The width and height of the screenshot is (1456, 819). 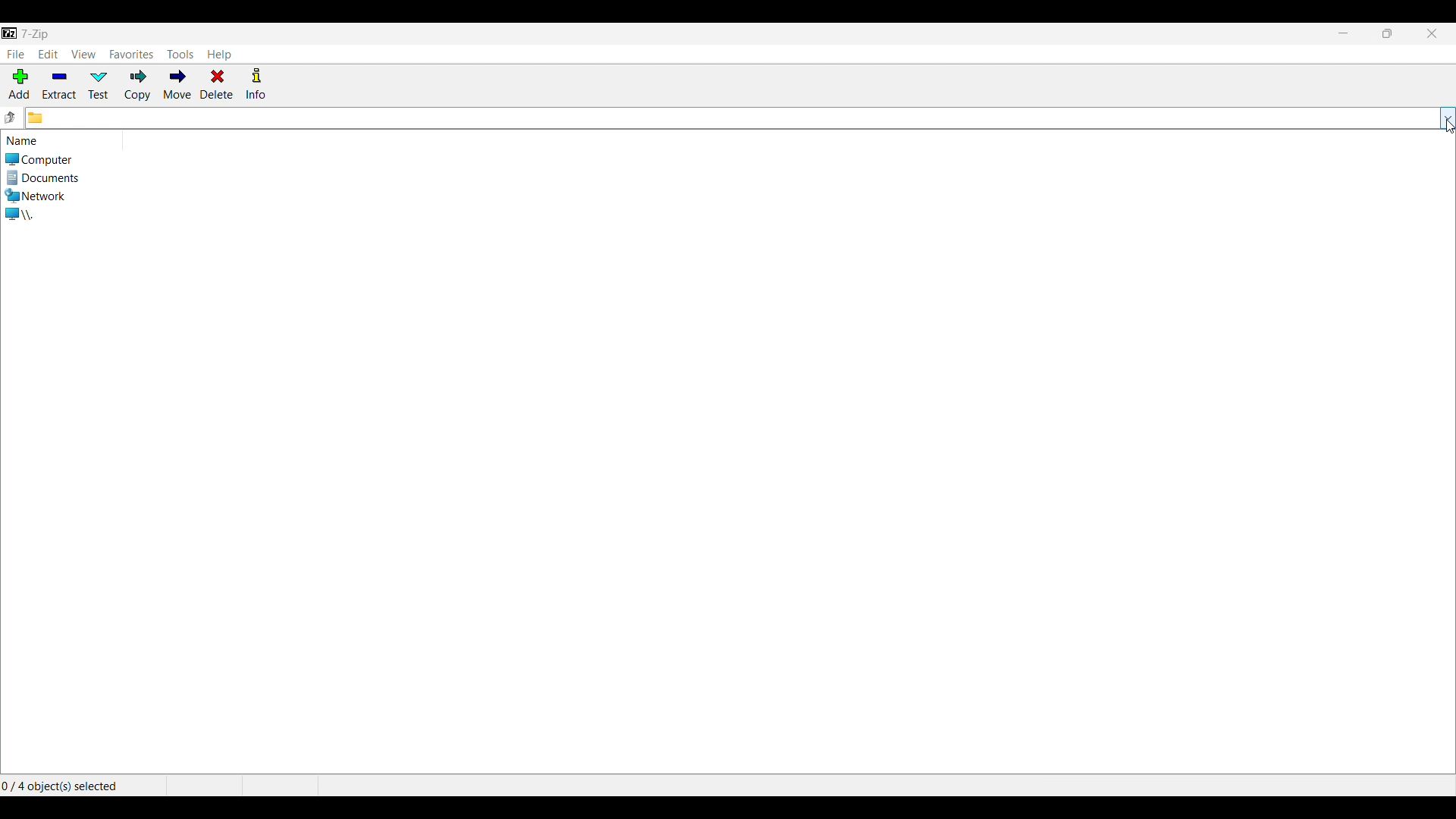 What do you see at coordinates (24, 141) in the screenshot?
I see `Indicates list of loaction below` at bounding box center [24, 141].